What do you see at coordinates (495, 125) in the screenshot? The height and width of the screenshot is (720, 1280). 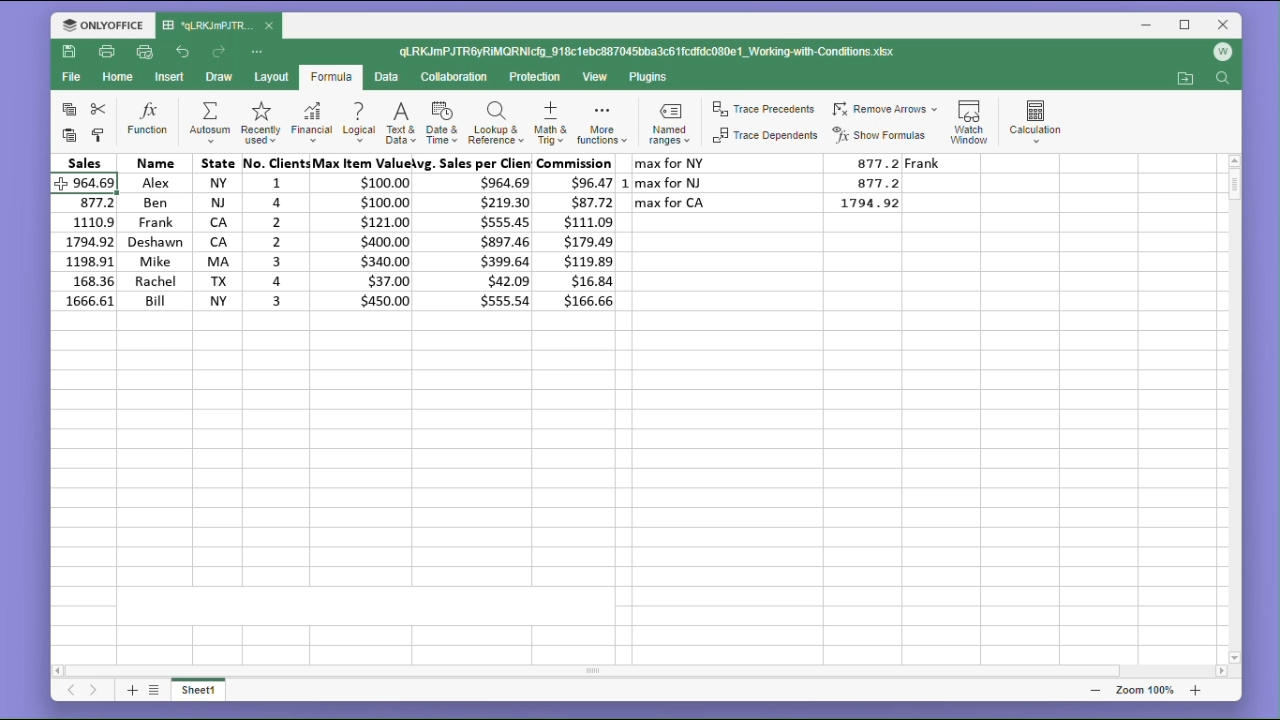 I see `lookup and reference` at bounding box center [495, 125].